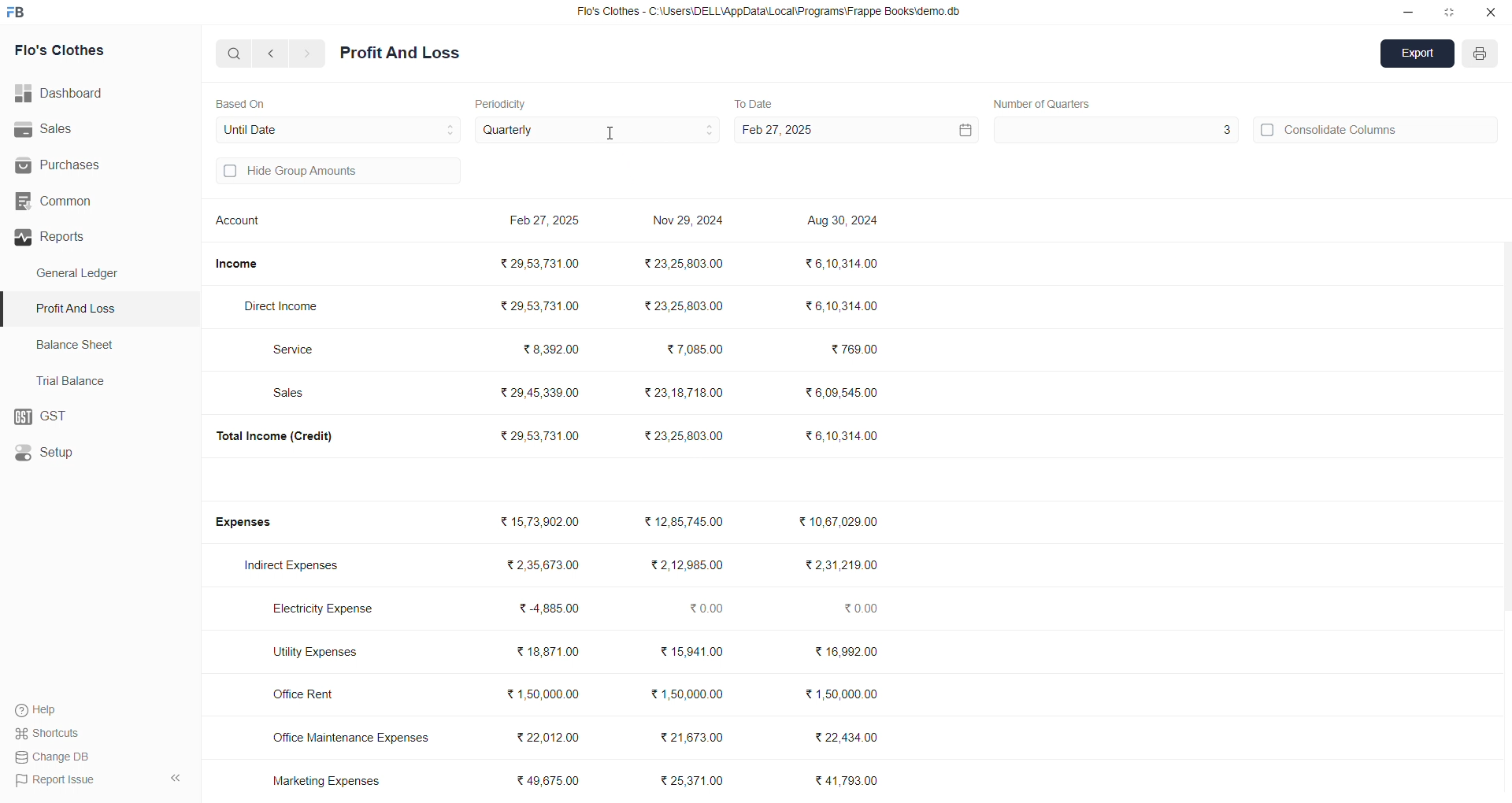  Describe the element at coordinates (1377, 128) in the screenshot. I see `Consolidate Columns` at that location.